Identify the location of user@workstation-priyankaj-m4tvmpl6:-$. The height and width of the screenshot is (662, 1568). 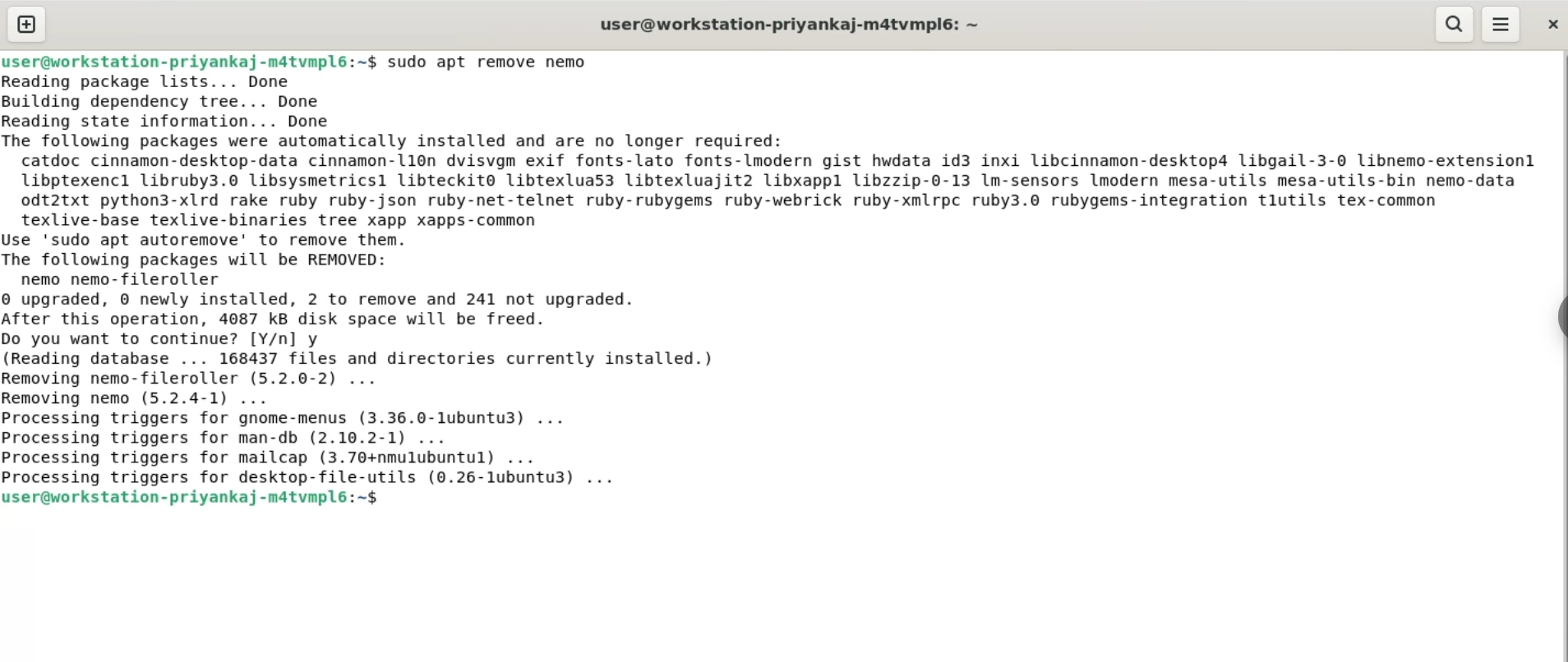
(188, 58).